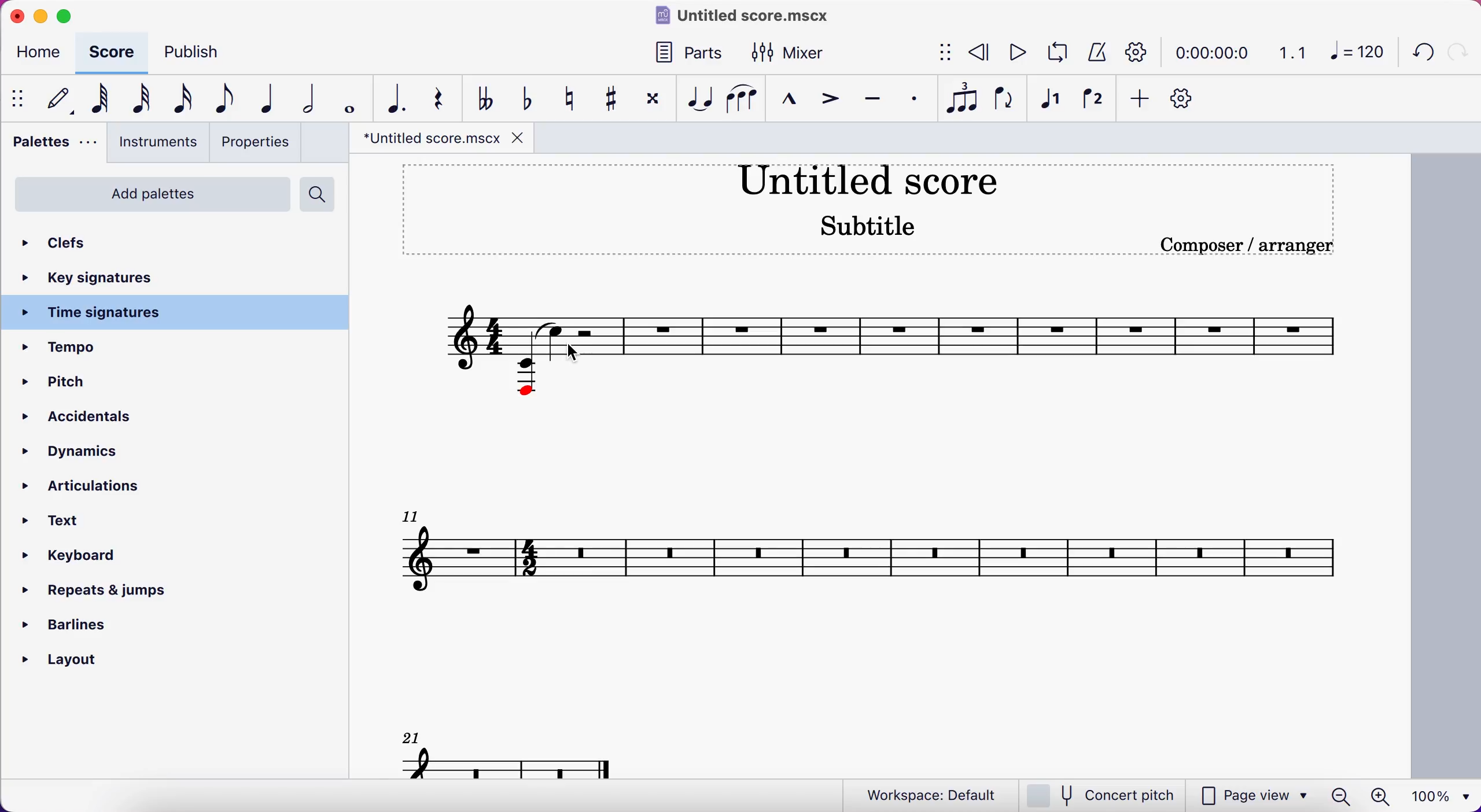 This screenshot has height=812, width=1481. What do you see at coordinates (178, 313) in the screenshot?
I see `time signatures` at bounding box center [178, 313].